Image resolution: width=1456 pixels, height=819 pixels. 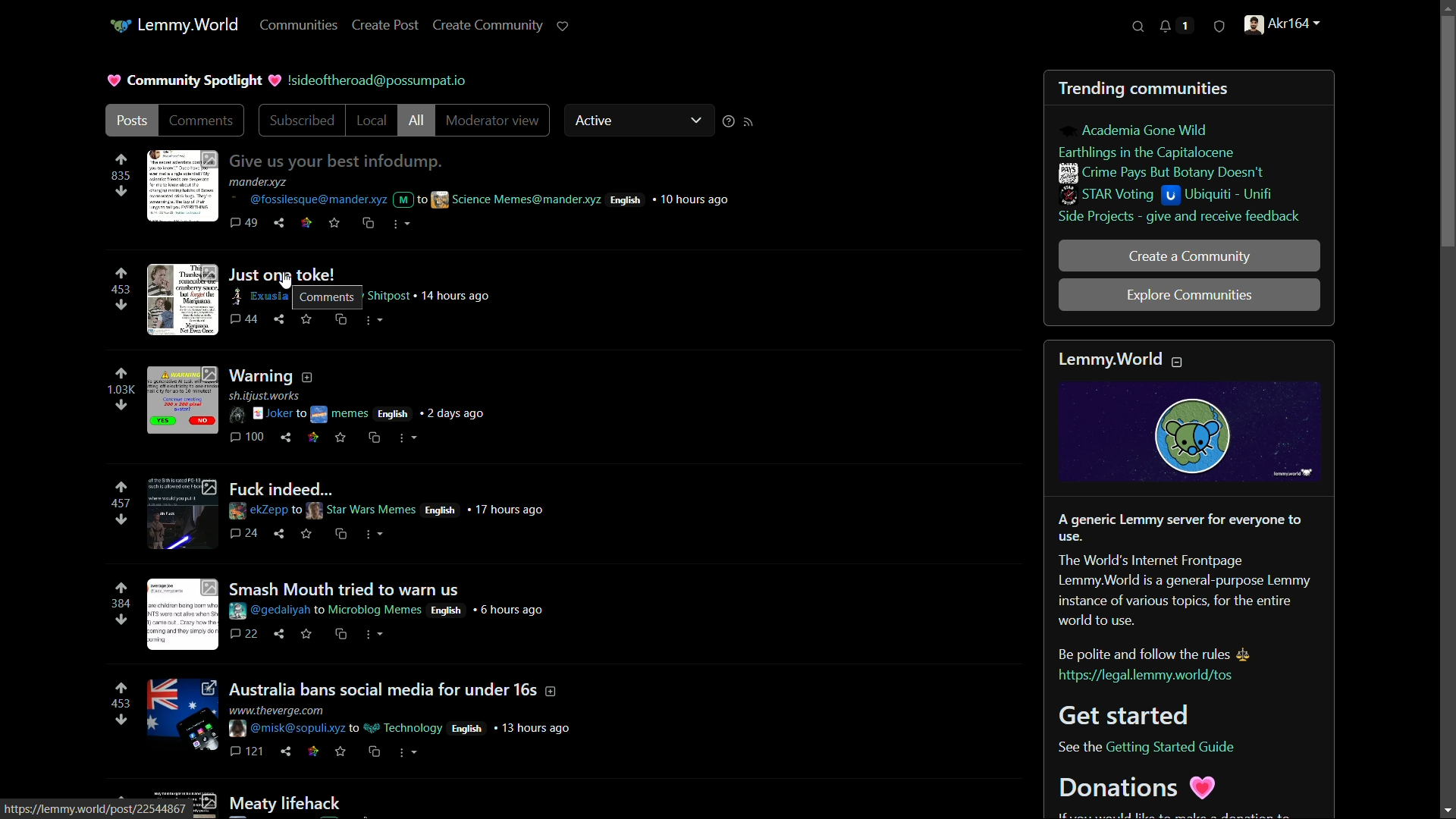 I want to click on 453, so click(x=122, y=290).